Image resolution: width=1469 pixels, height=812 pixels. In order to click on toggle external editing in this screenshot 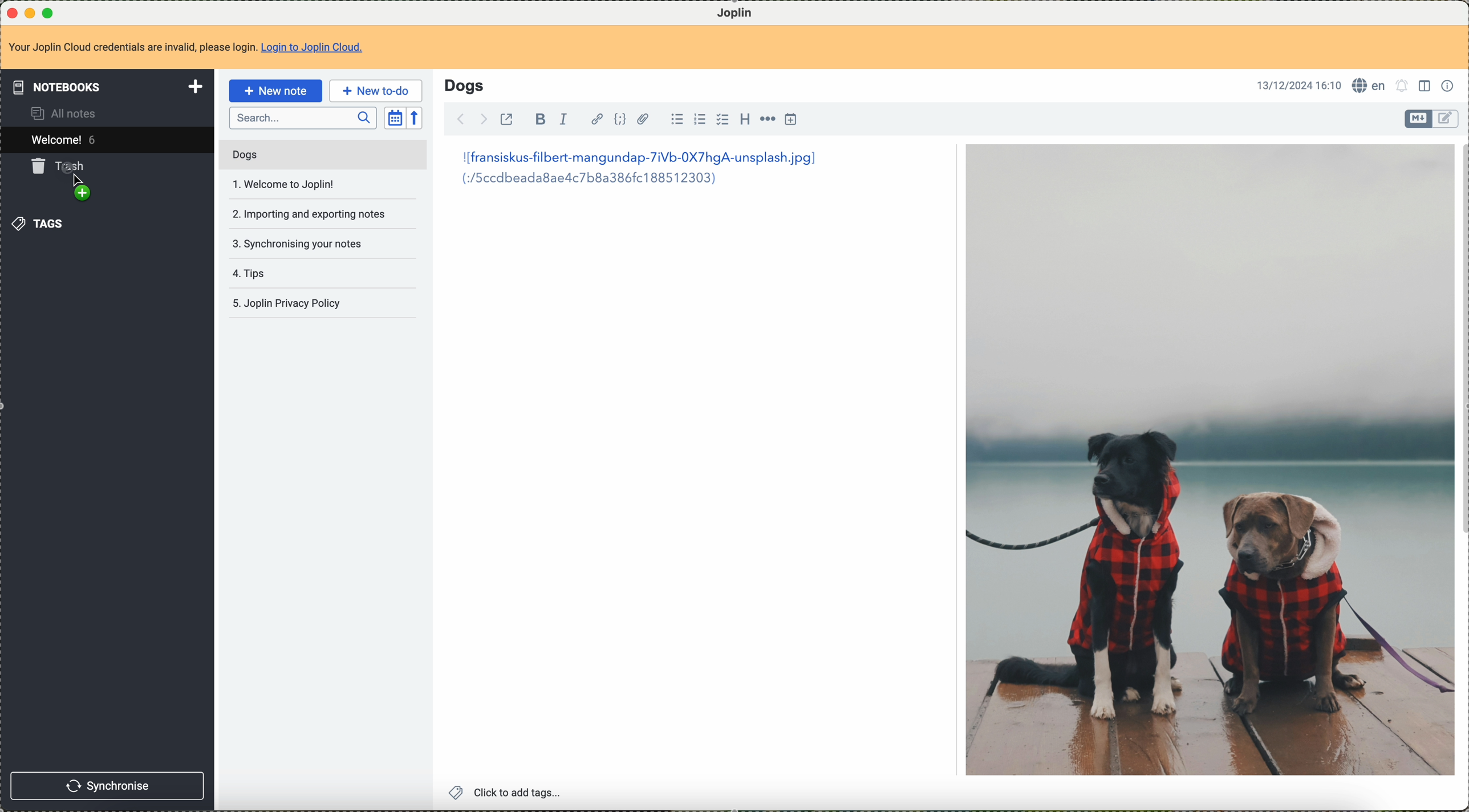, I will do `click(506, 120)`.